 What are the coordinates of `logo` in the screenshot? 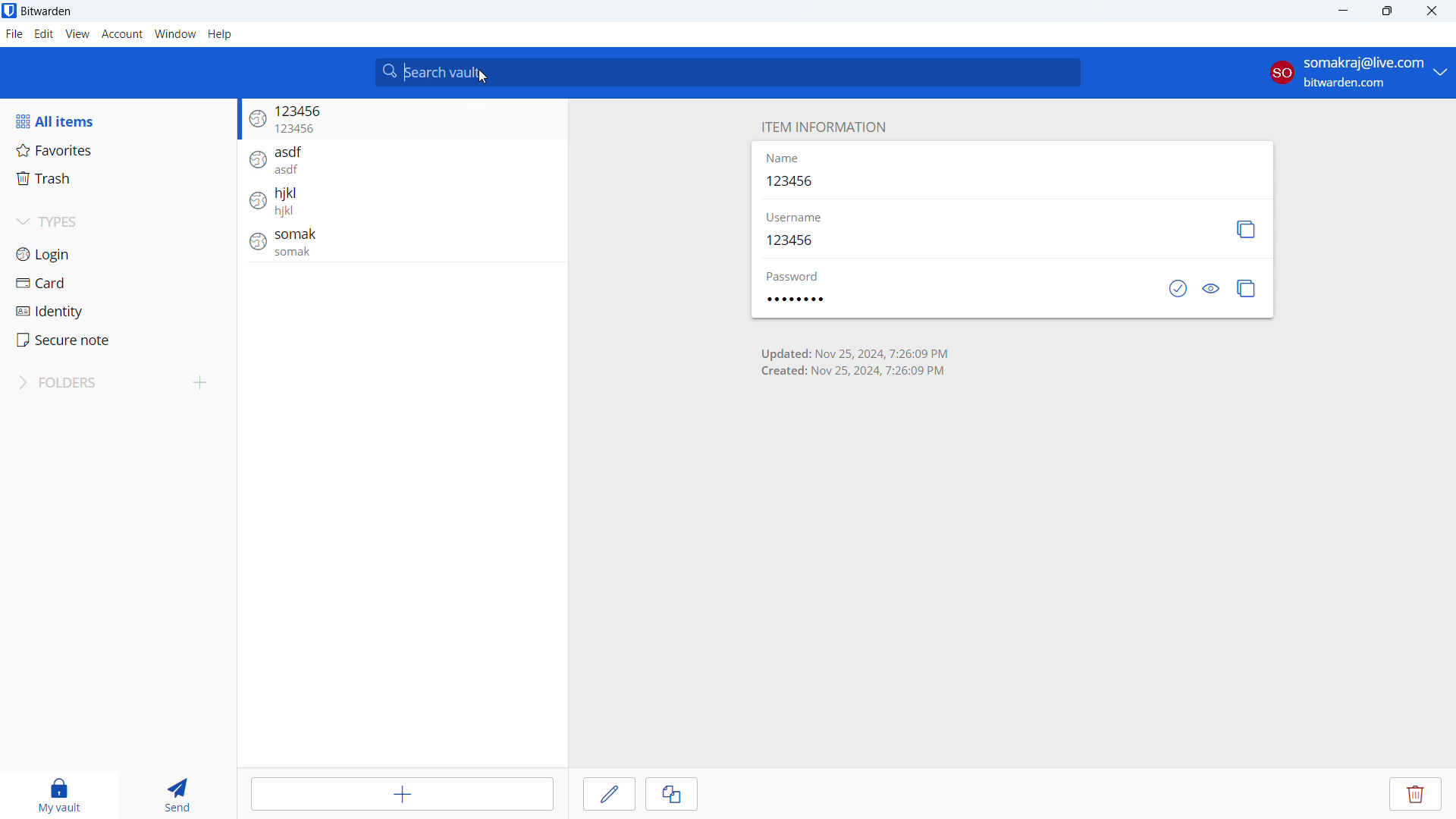 It's located at (9, 11).